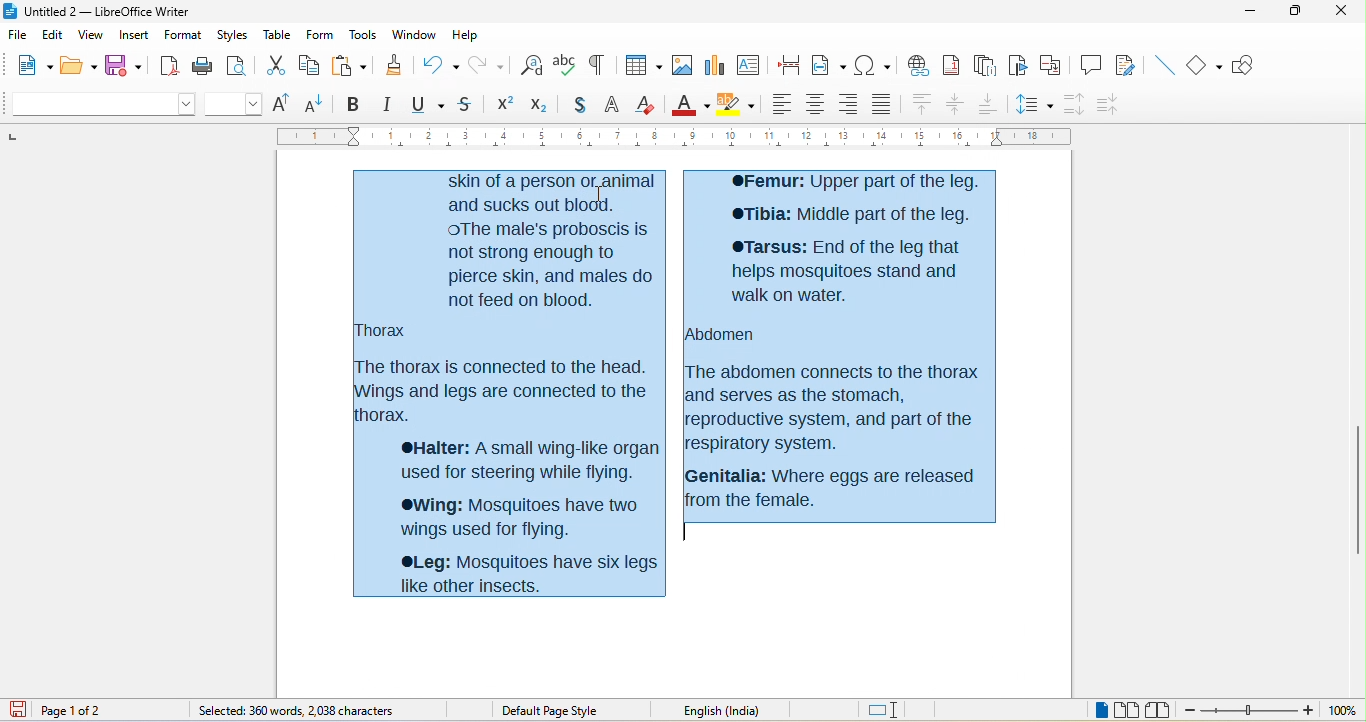 This screenshot has width=1366, height=722. I want to click on page break, so click(787, 63).